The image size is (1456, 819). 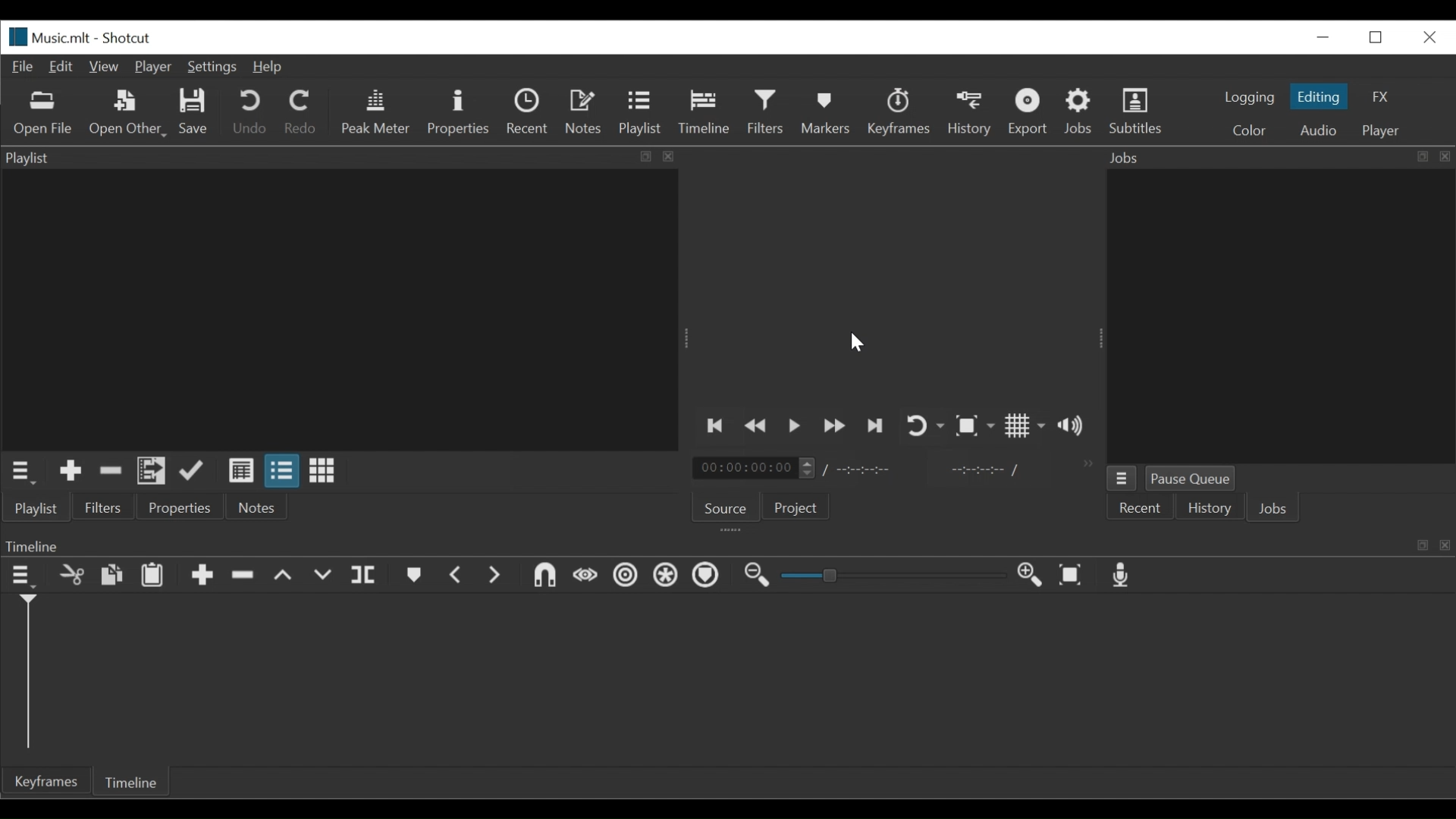 What do you see at coordinates (1430, 37) in the screenshot?
I see `Close` at bounding box center [1430, 37].